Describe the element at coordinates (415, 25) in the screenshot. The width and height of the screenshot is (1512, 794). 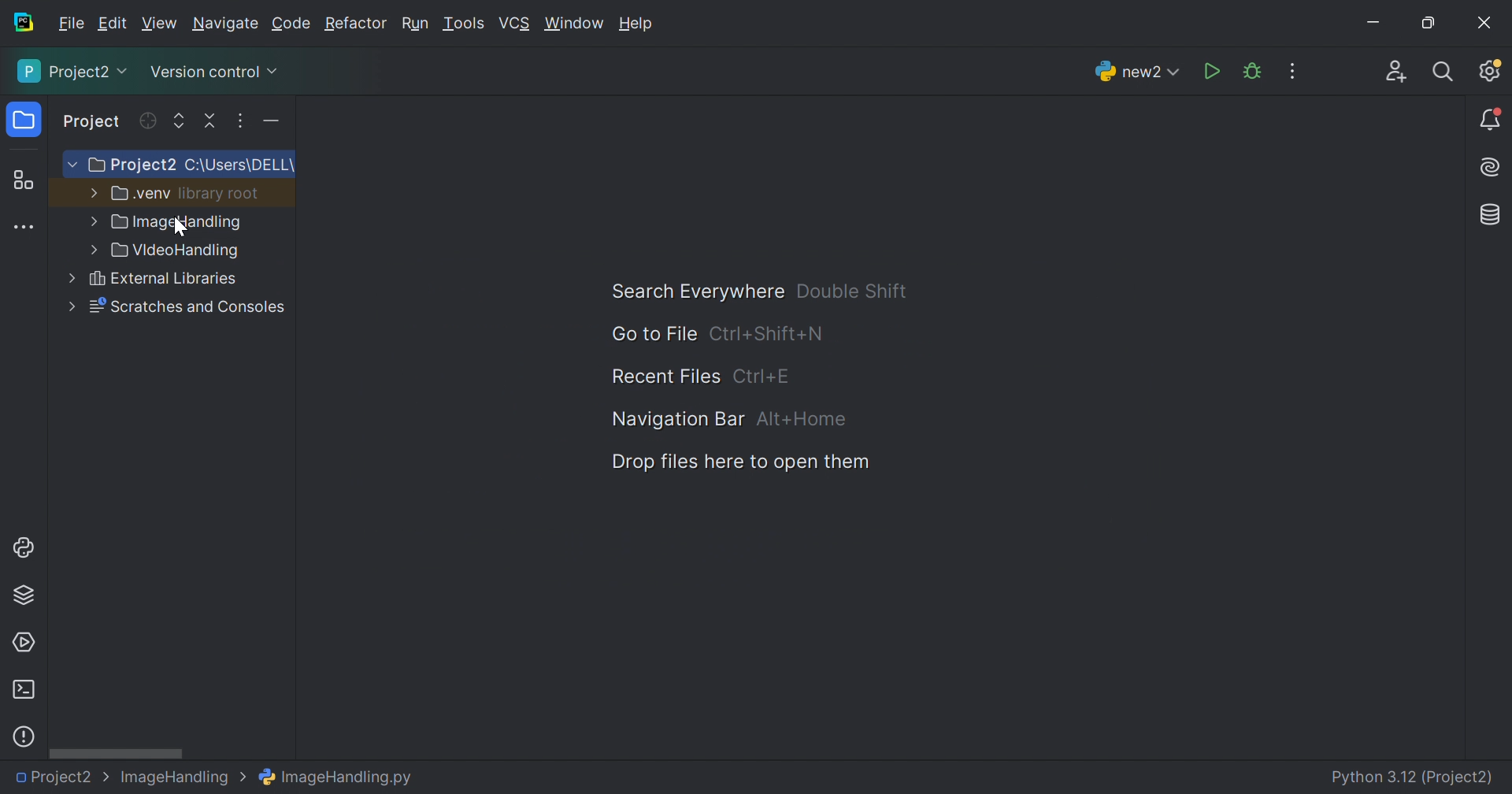
I see `Run` at that location.